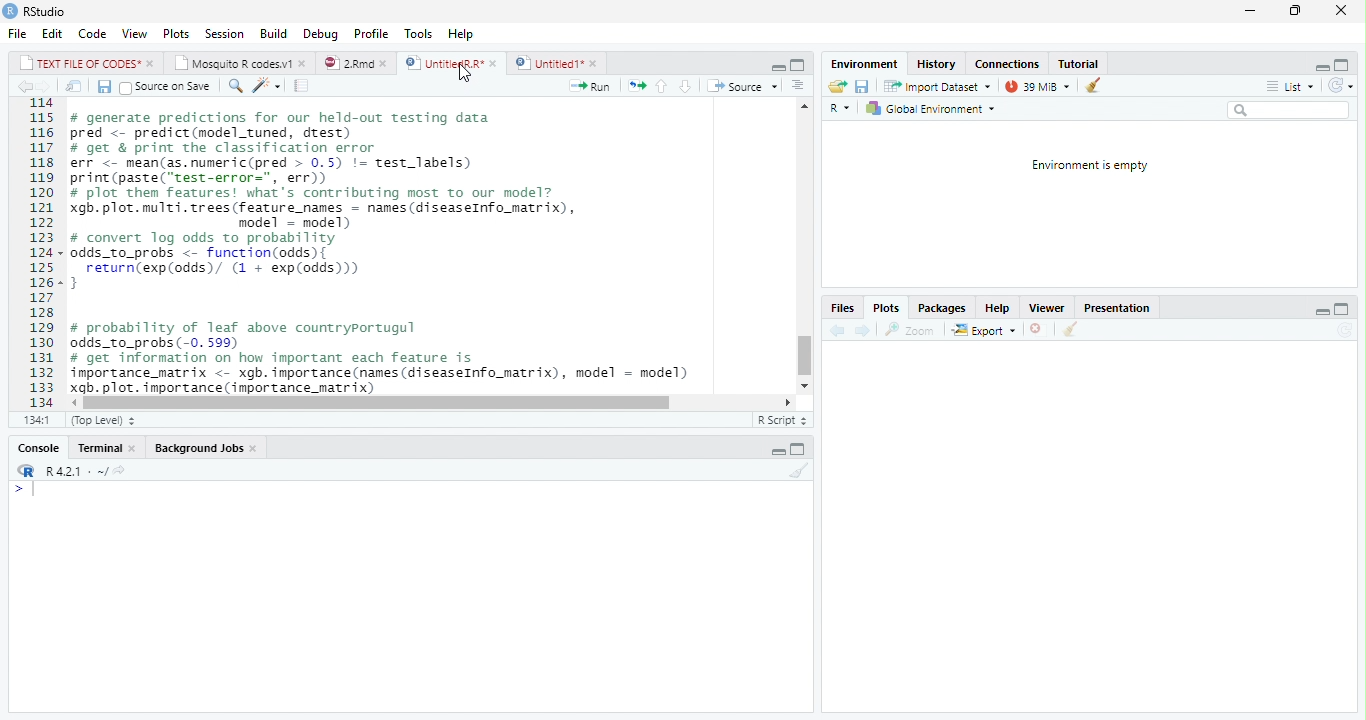 The width and height of the screenshot is (1366, 720). What do you see at coordinates (1071, 330) in the screenshot?
I see `Clean` at bounding box center [1071, 330].